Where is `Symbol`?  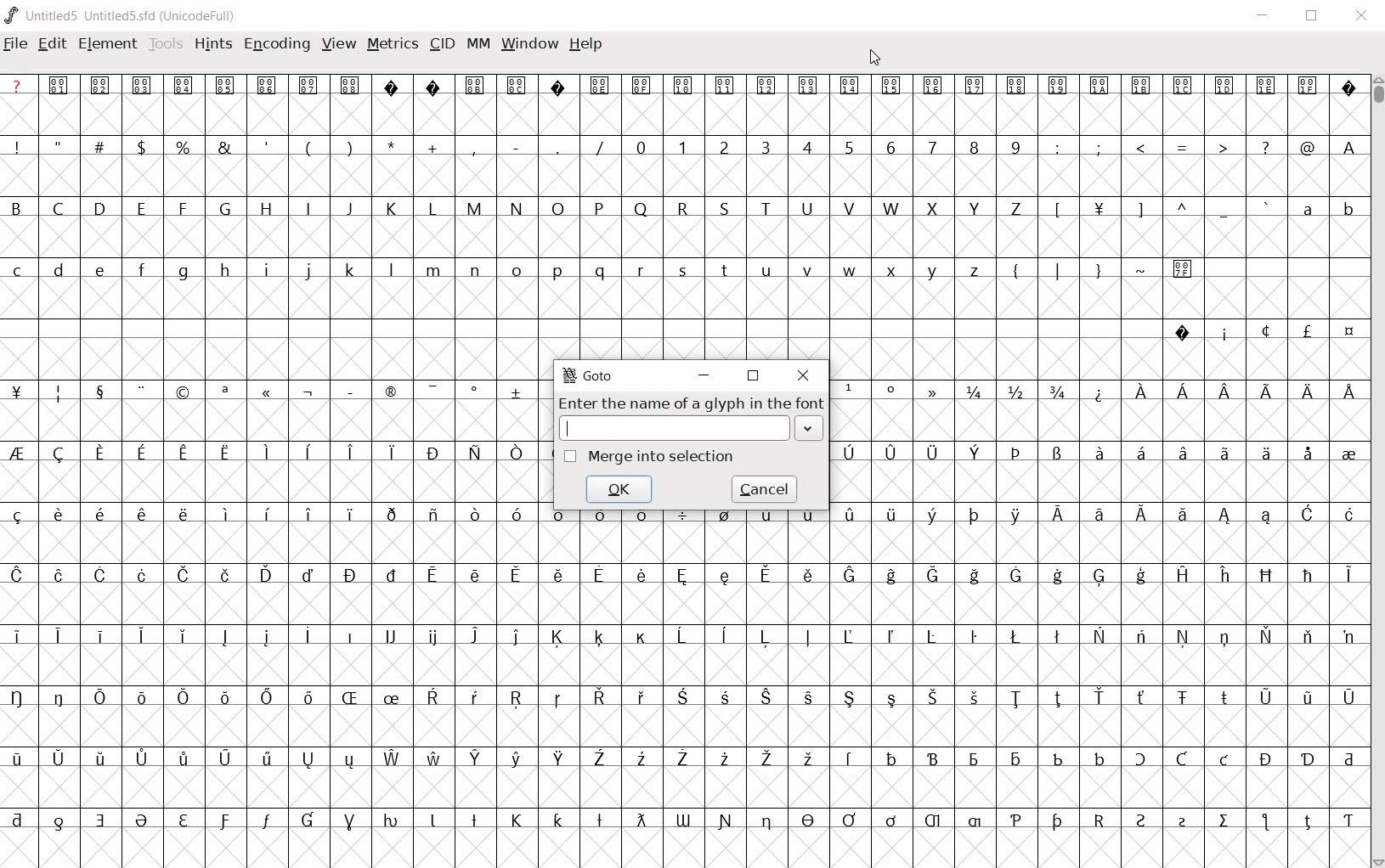 Symbol is located at coordinates (390, 513).